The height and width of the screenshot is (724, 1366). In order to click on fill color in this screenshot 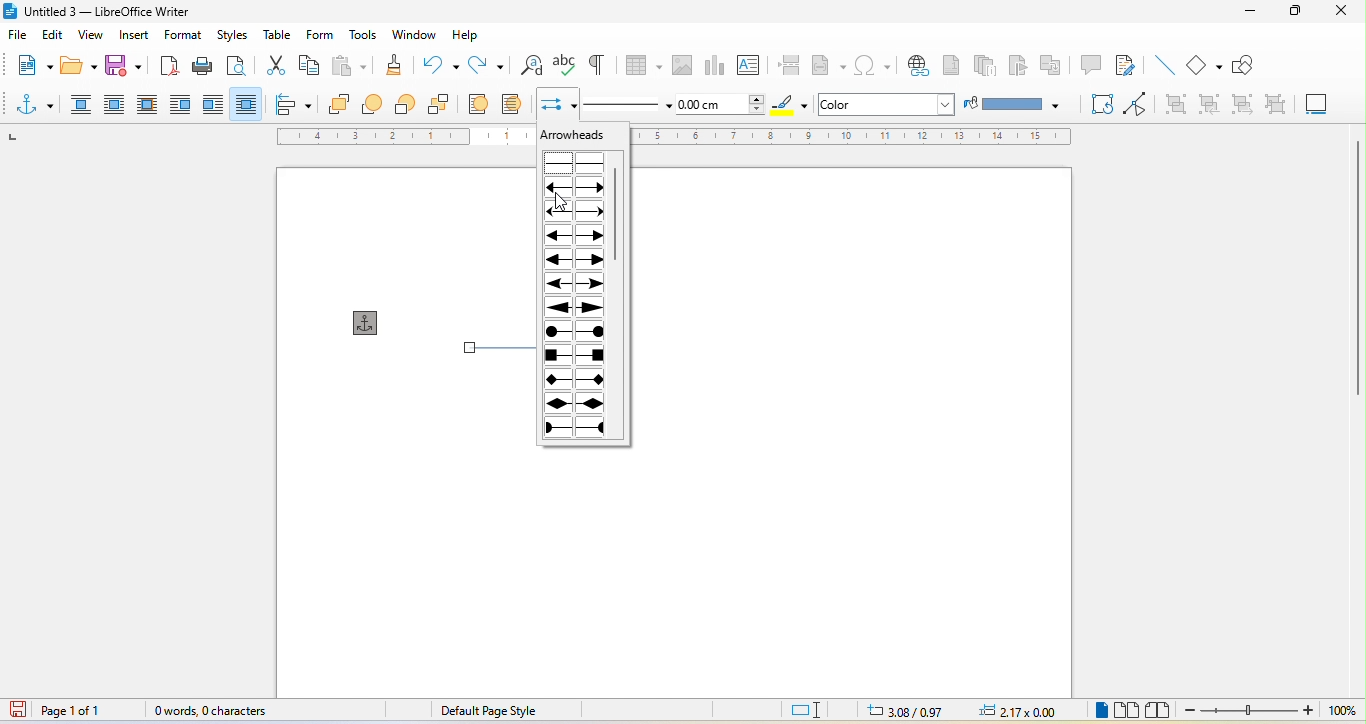, I will do `click(1014, 104)`.